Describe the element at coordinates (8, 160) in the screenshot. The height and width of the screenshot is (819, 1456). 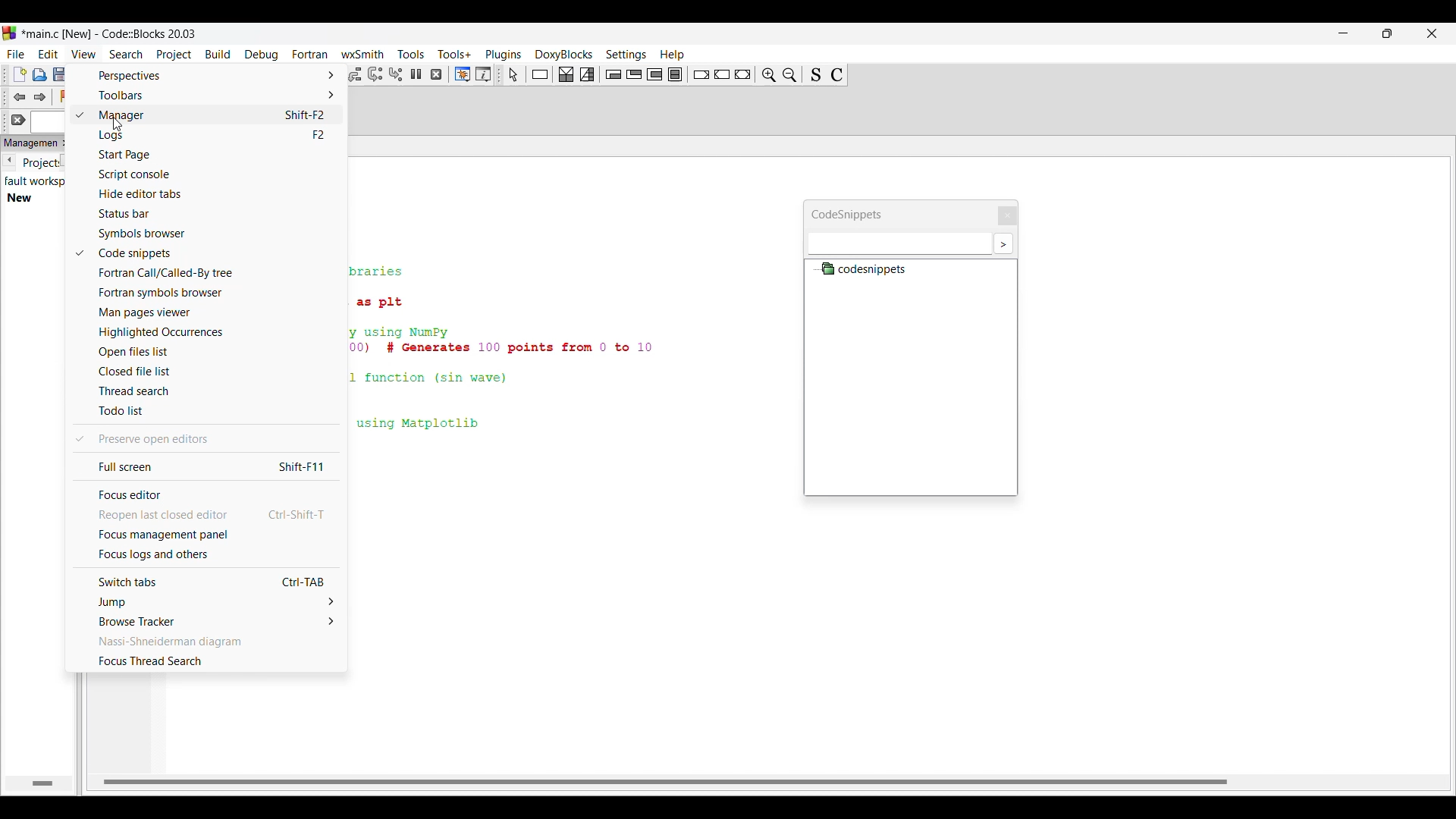
I see `Previous` at that location.